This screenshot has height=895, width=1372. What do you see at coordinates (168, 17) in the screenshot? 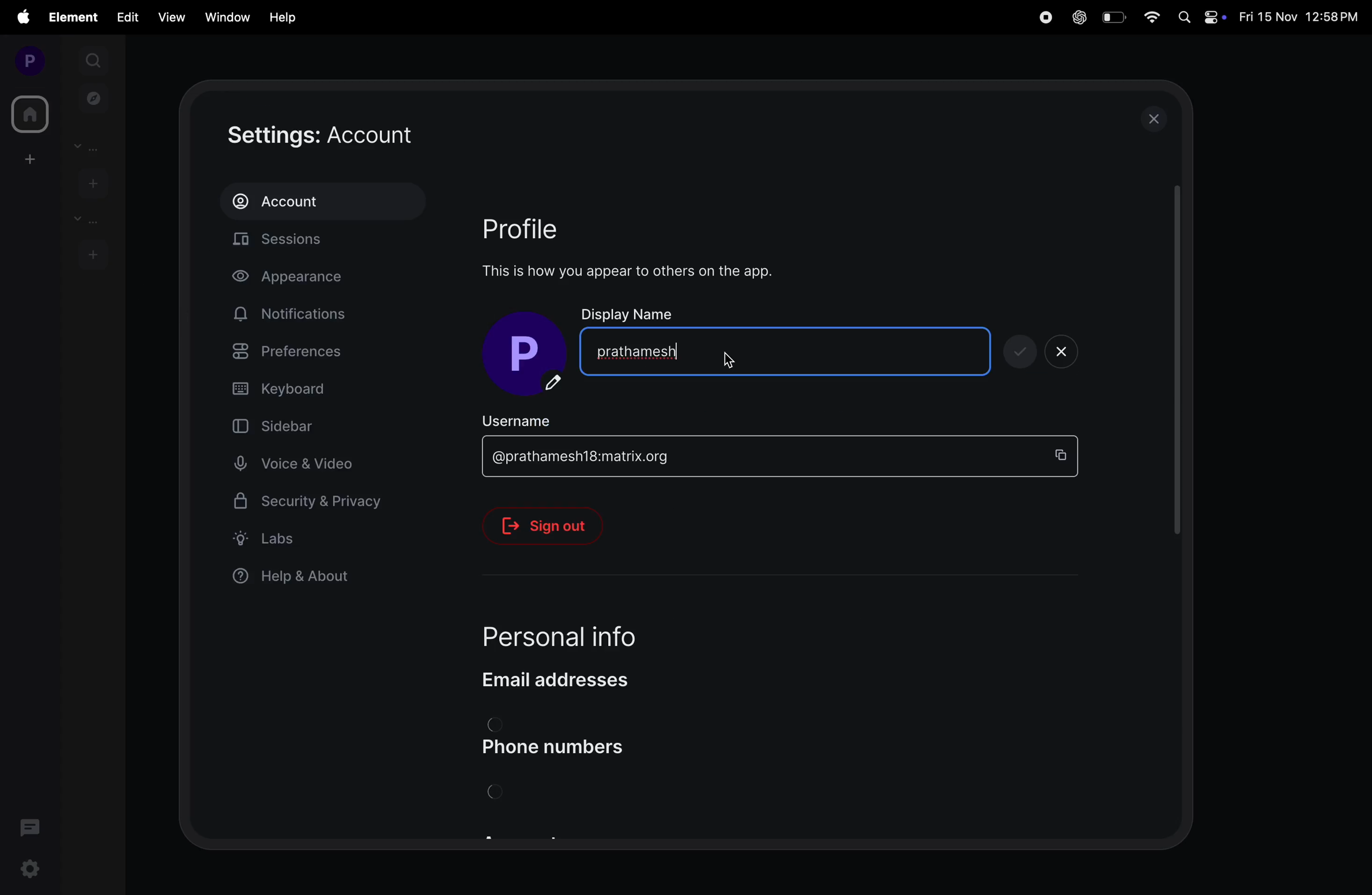
I see `view` at bounding box center [168, 17].